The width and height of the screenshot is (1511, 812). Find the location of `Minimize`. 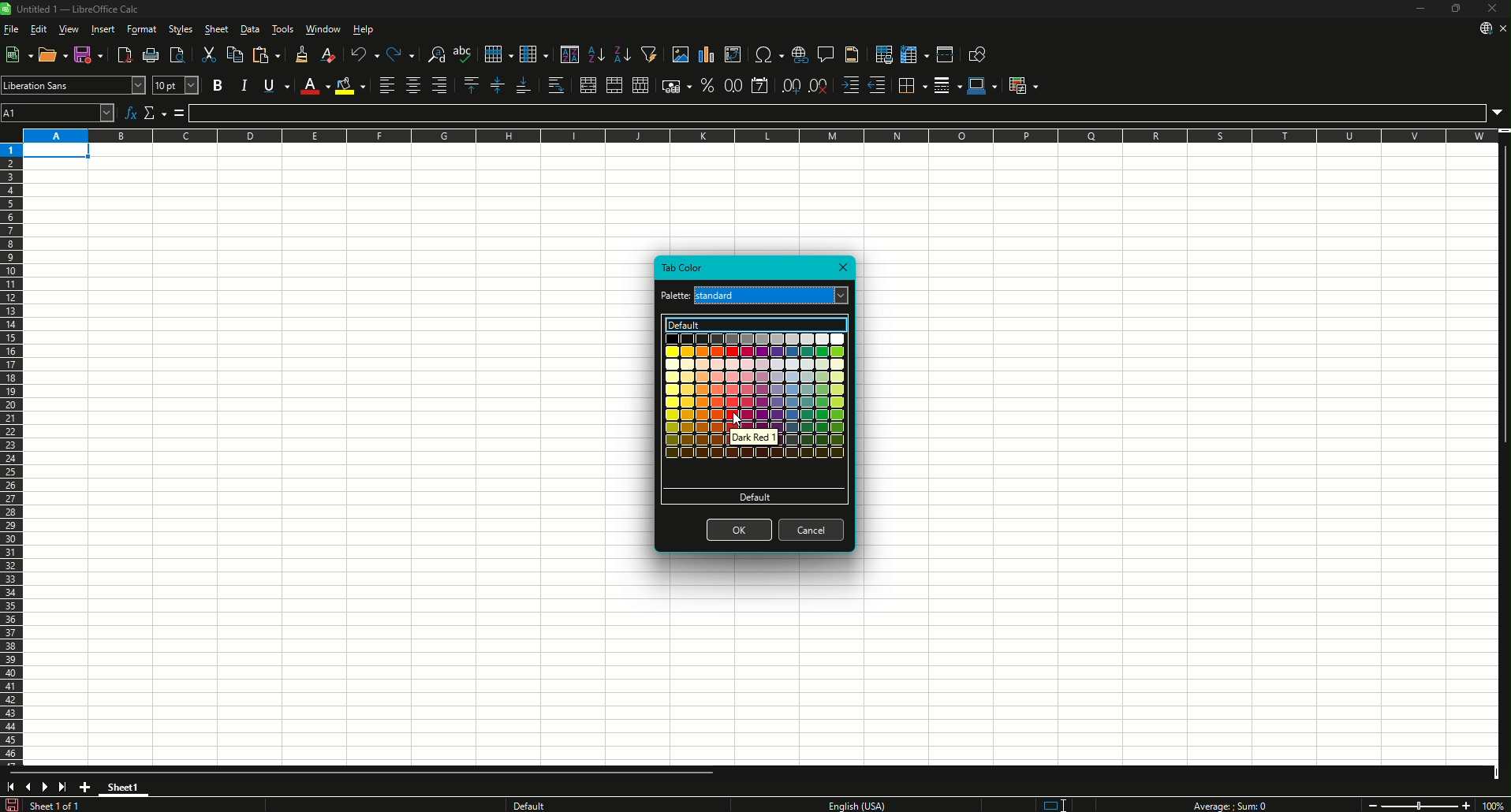

Minimize is located at coordinates (1420, 8).